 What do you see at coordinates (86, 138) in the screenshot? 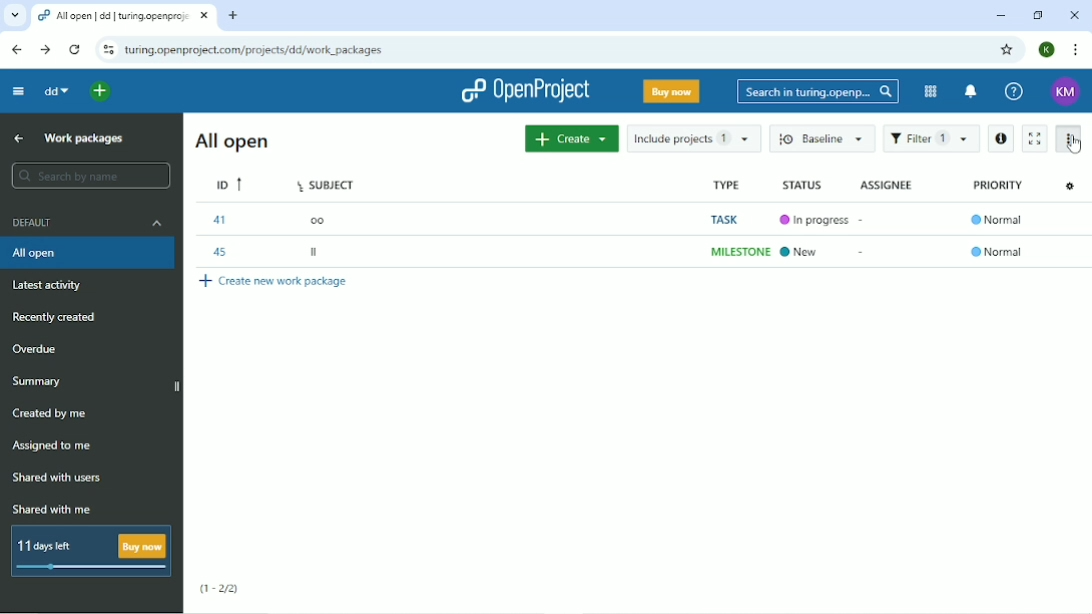
I see `Work packages` at bounding box center [86, 138].